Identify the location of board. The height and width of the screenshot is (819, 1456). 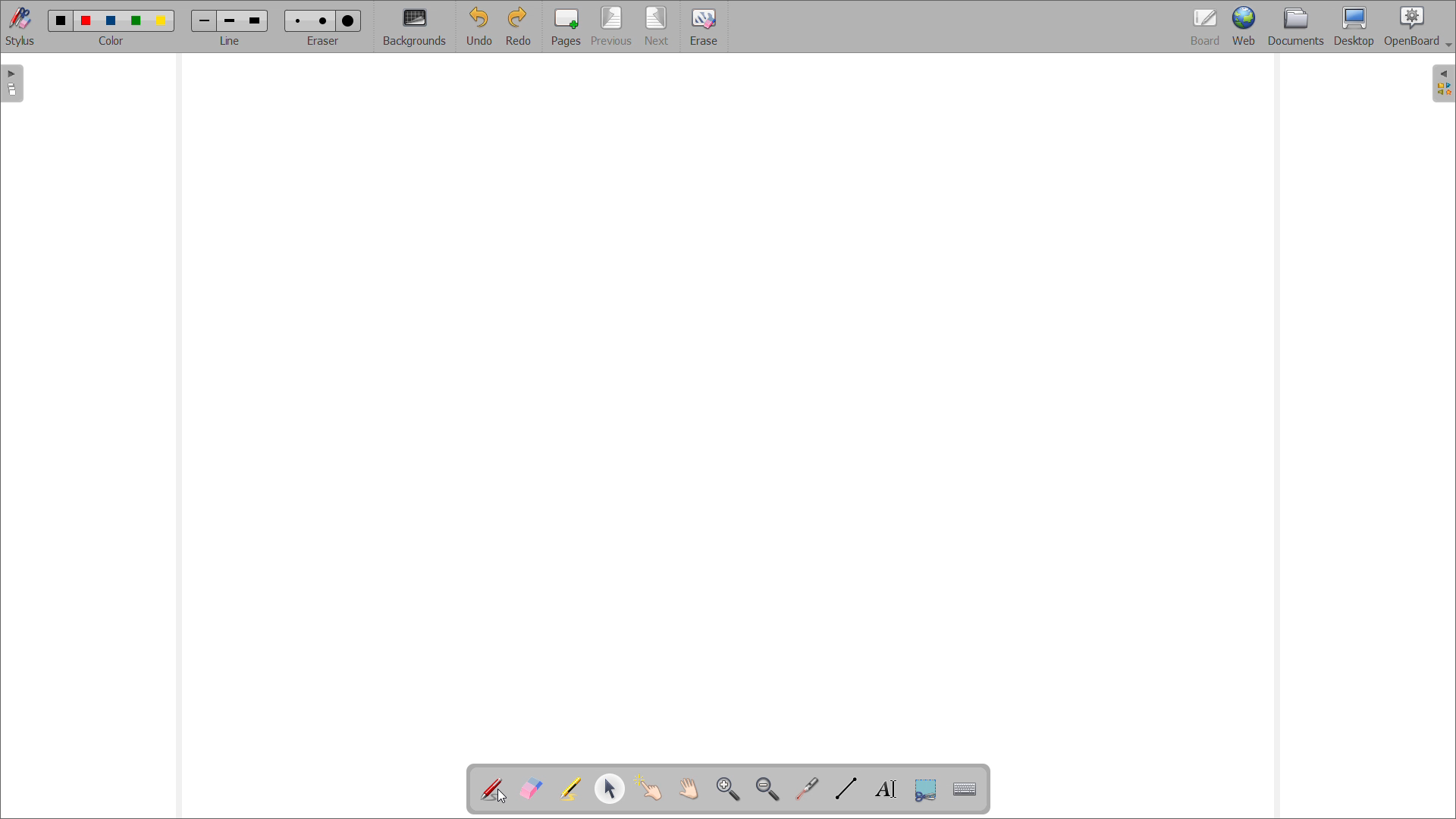
(1204, 27).